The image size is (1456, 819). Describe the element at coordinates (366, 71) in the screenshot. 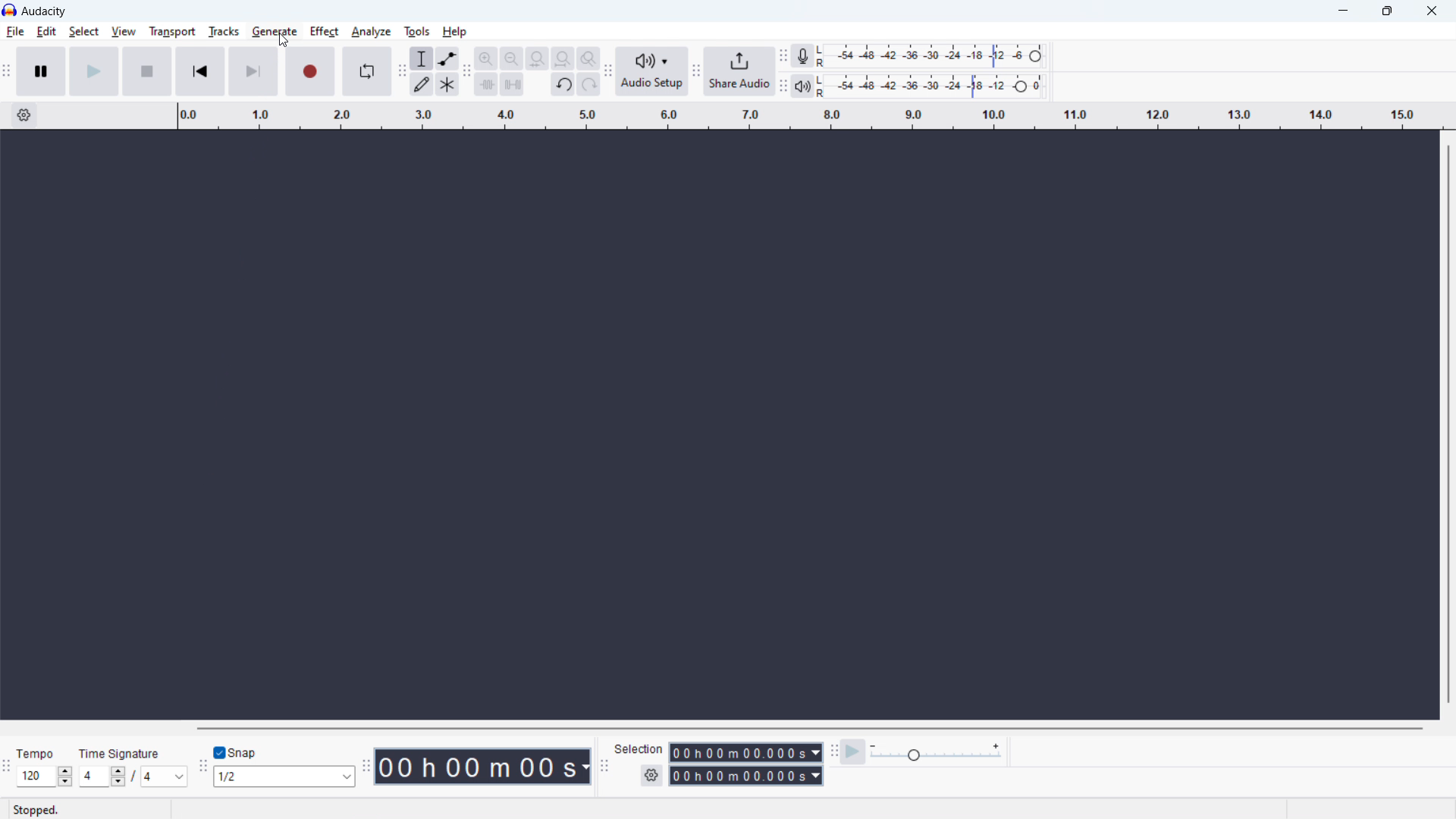

I see `enable loop` at that location.